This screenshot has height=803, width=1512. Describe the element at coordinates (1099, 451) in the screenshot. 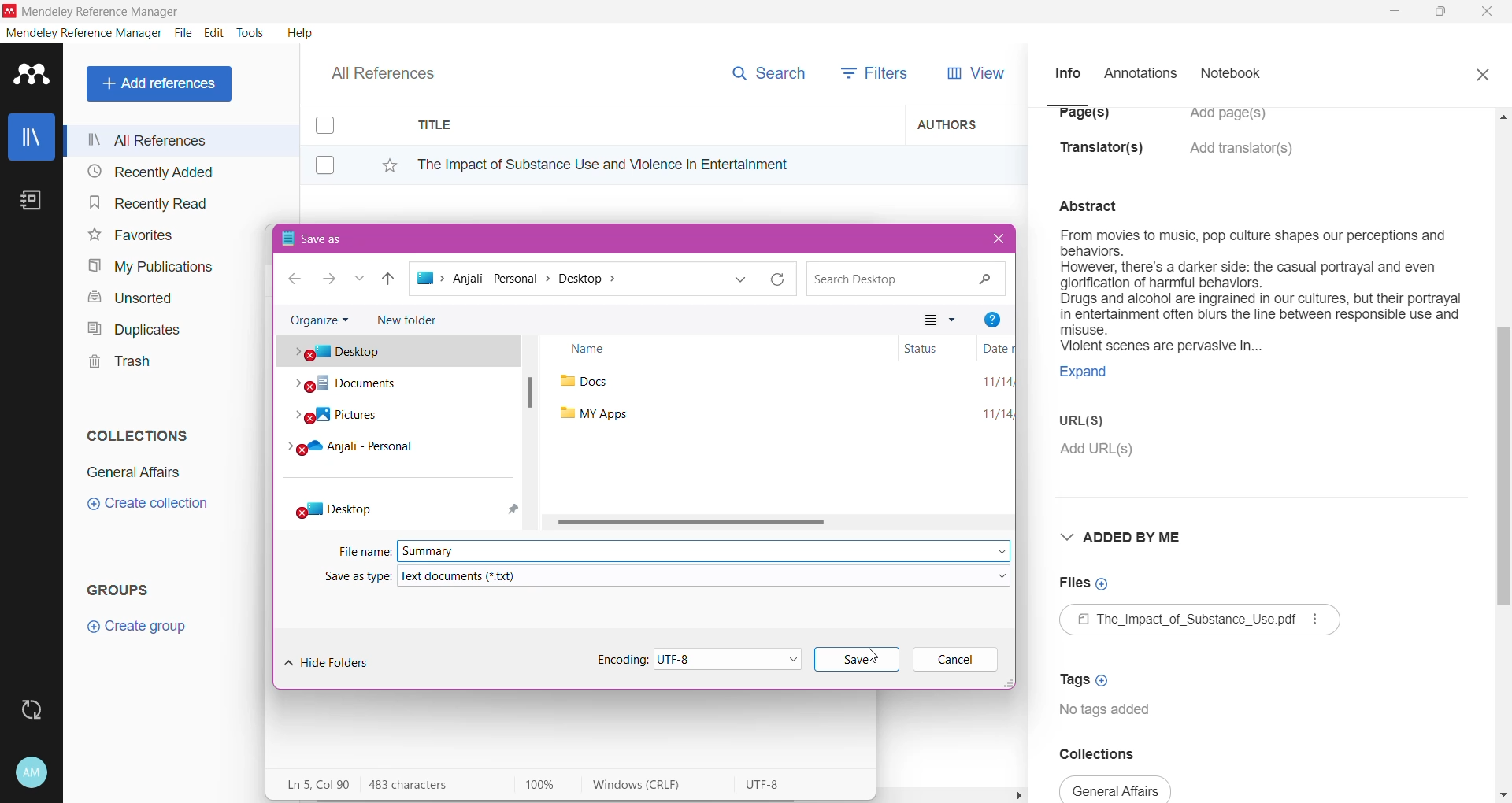

I see `Click to Add URL(s)` at that location.